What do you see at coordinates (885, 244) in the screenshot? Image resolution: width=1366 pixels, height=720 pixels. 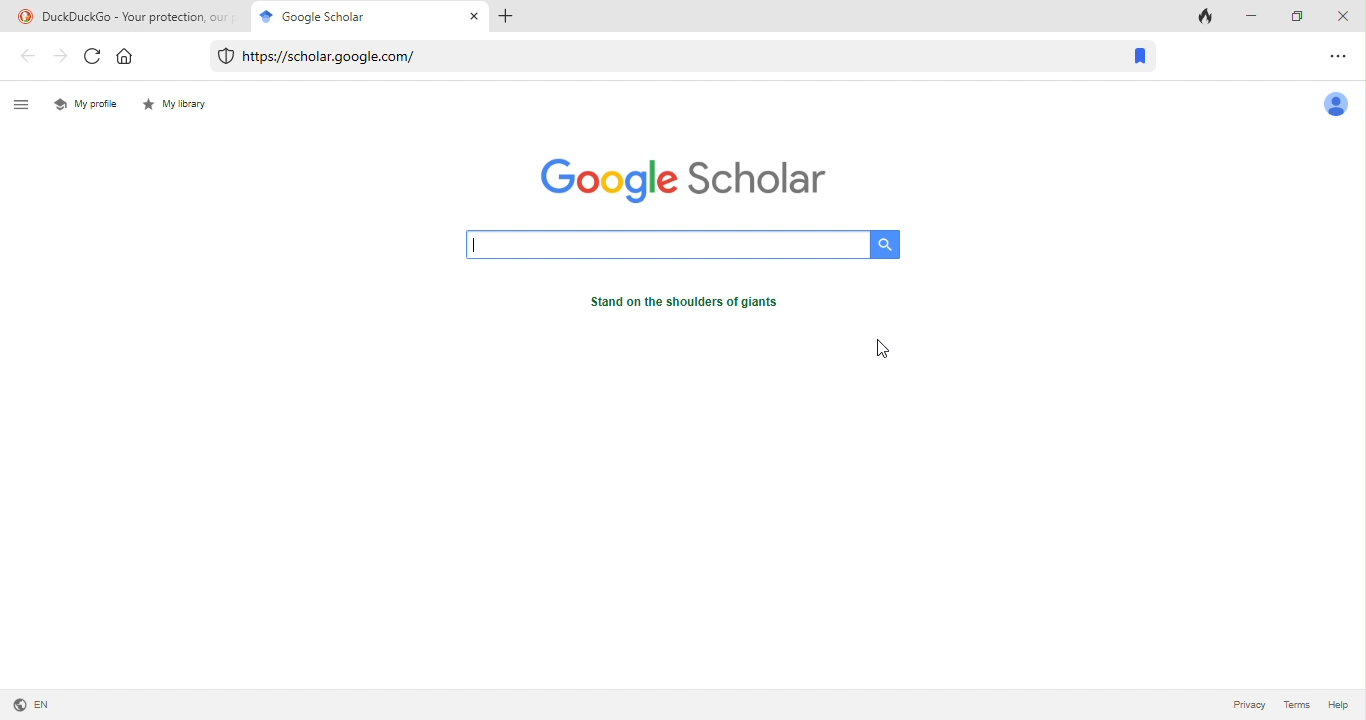 I see `search button` at bounding box center [885, 244].